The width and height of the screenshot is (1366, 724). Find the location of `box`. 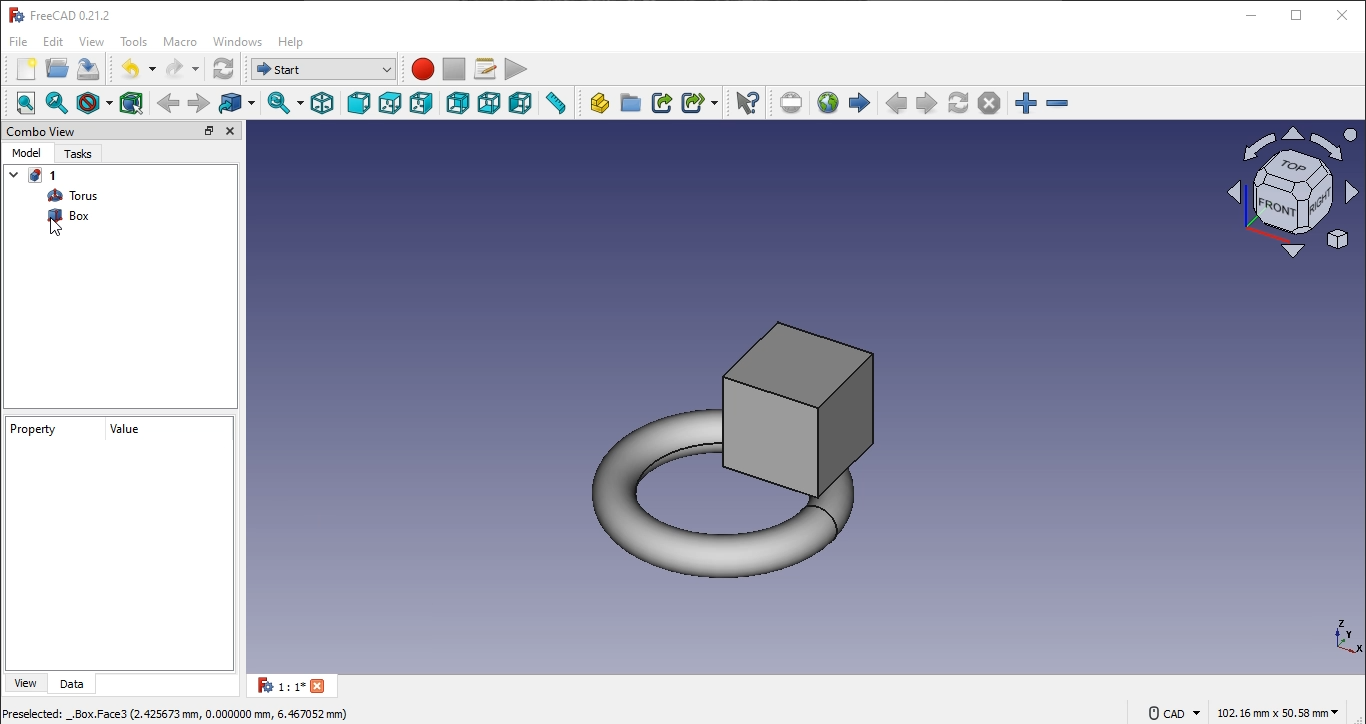

box is located at coordinates (67, 216).